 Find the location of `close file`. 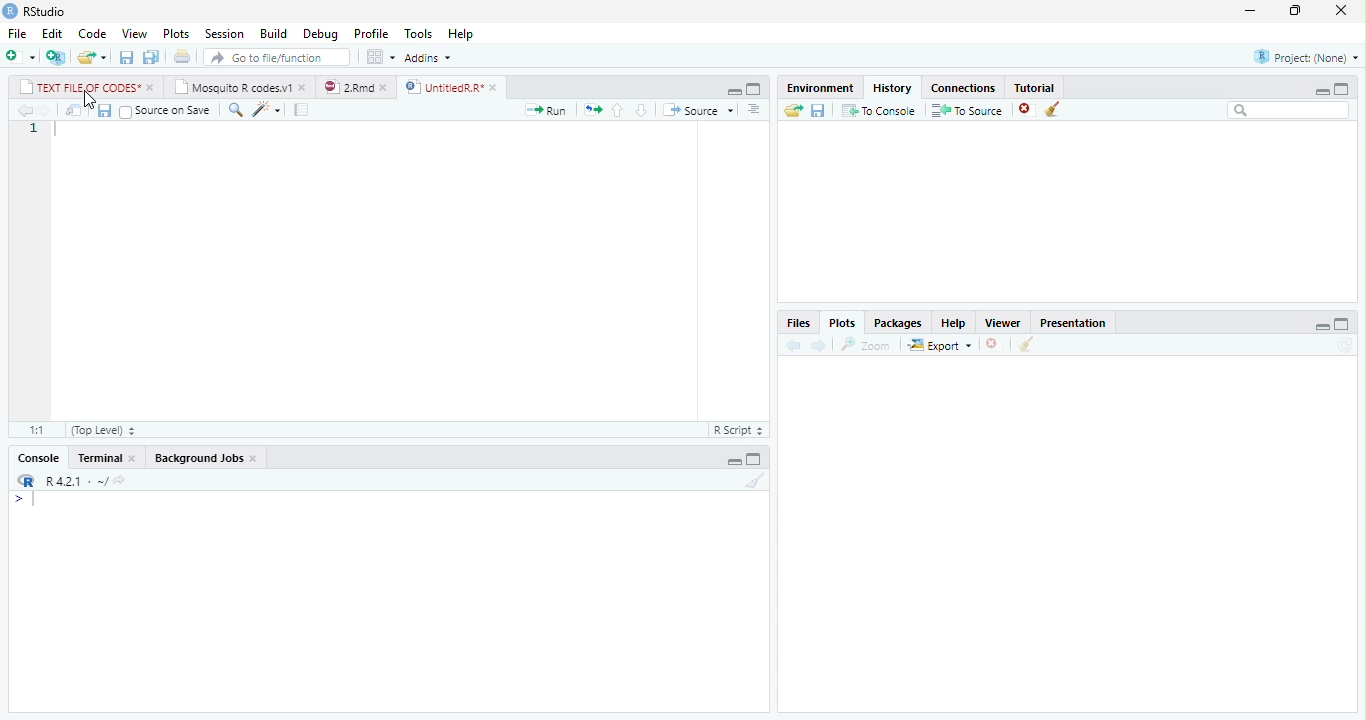

close file is located at coordinates (1028, 109).